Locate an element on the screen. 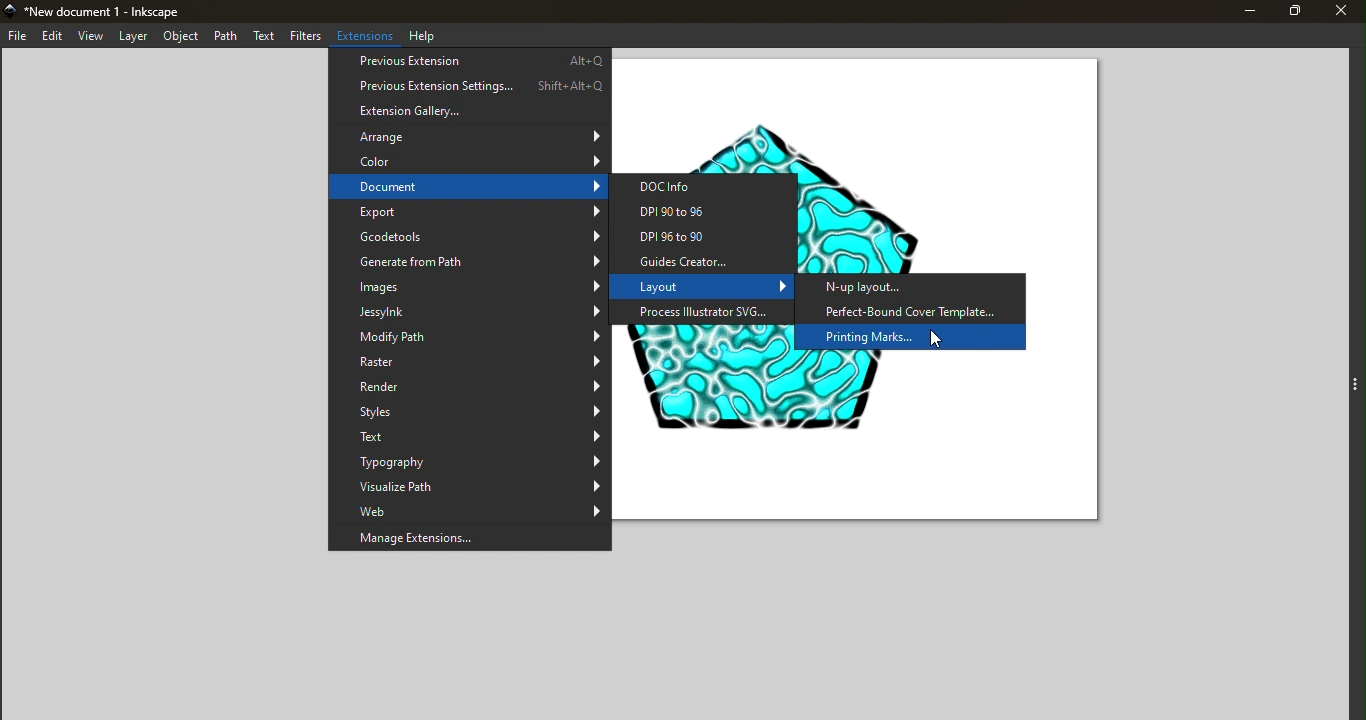  Manage Extensions... is located at coordinates (469, 539).